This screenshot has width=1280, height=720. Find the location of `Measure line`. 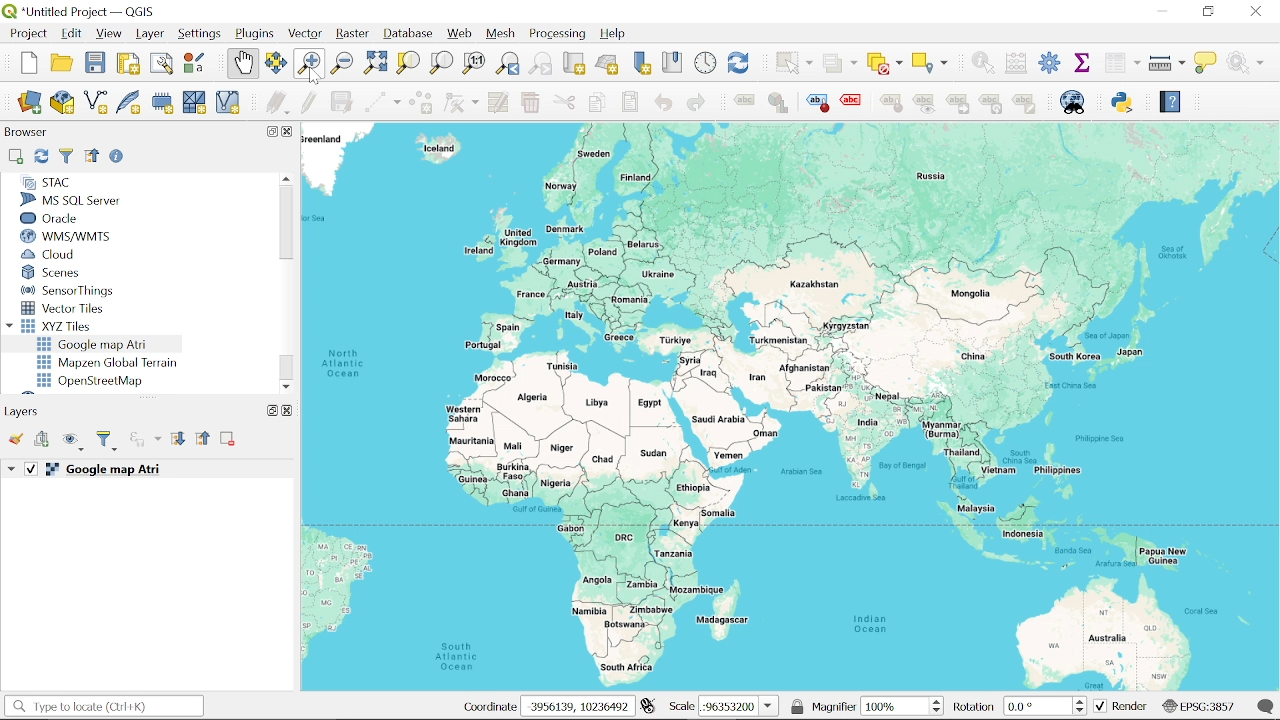

Measure line is located at coordinates (1168, 64).